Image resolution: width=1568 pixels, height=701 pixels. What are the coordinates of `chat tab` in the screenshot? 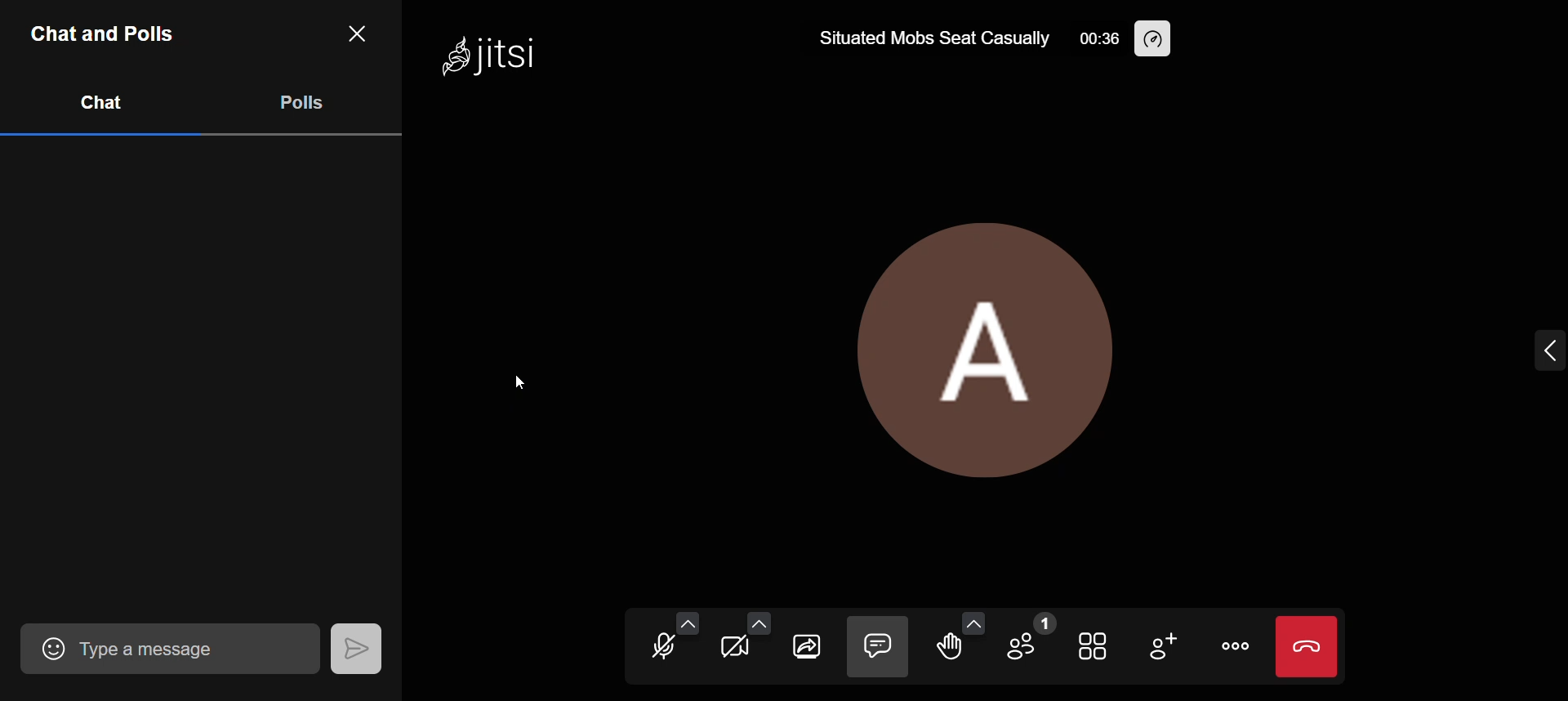 It's located at (101, 101).